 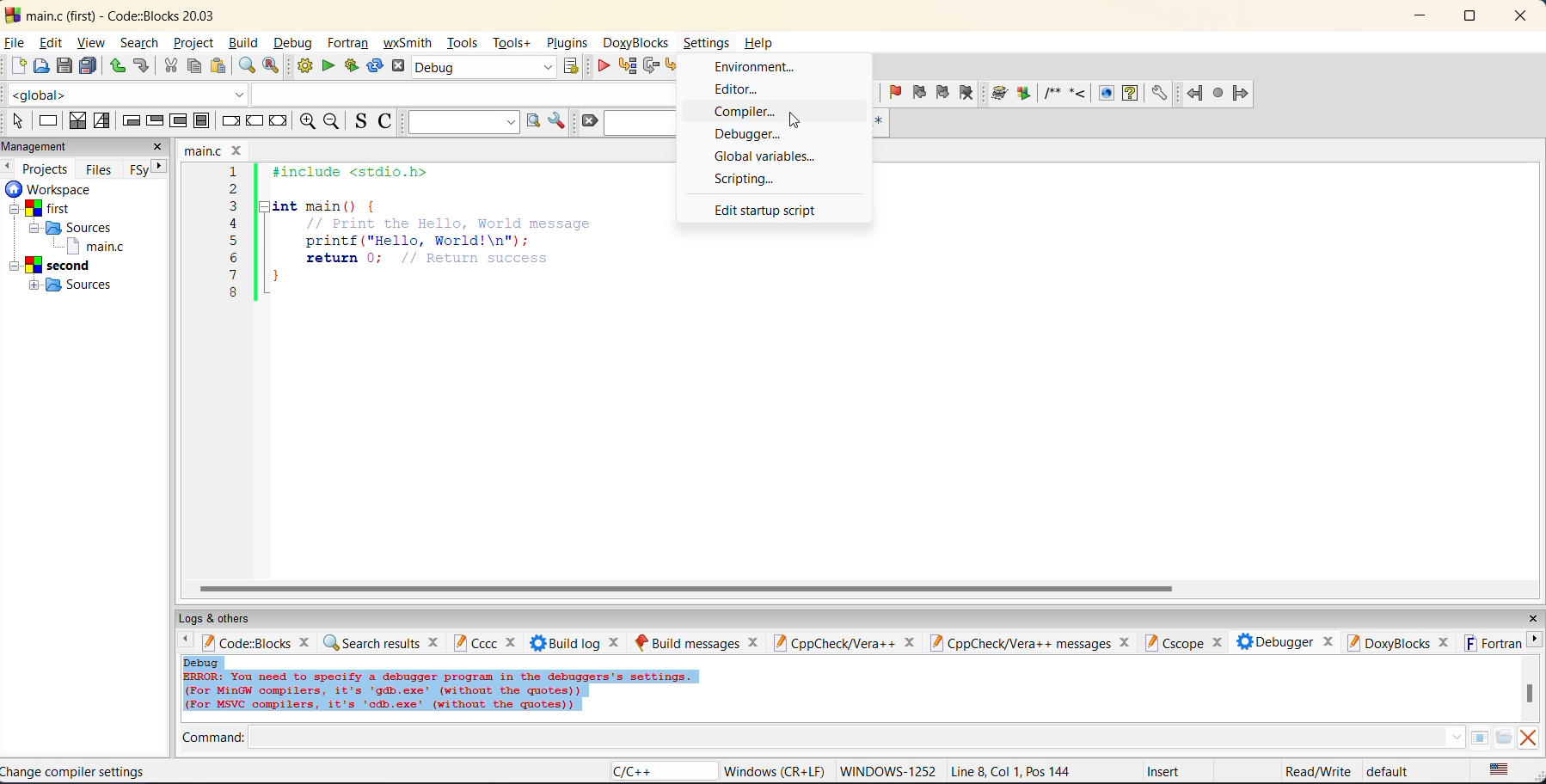 What do you see at coordinates (260, 642) in the screenshot?
I see `code:blocks` at bounding box center [260, 642].